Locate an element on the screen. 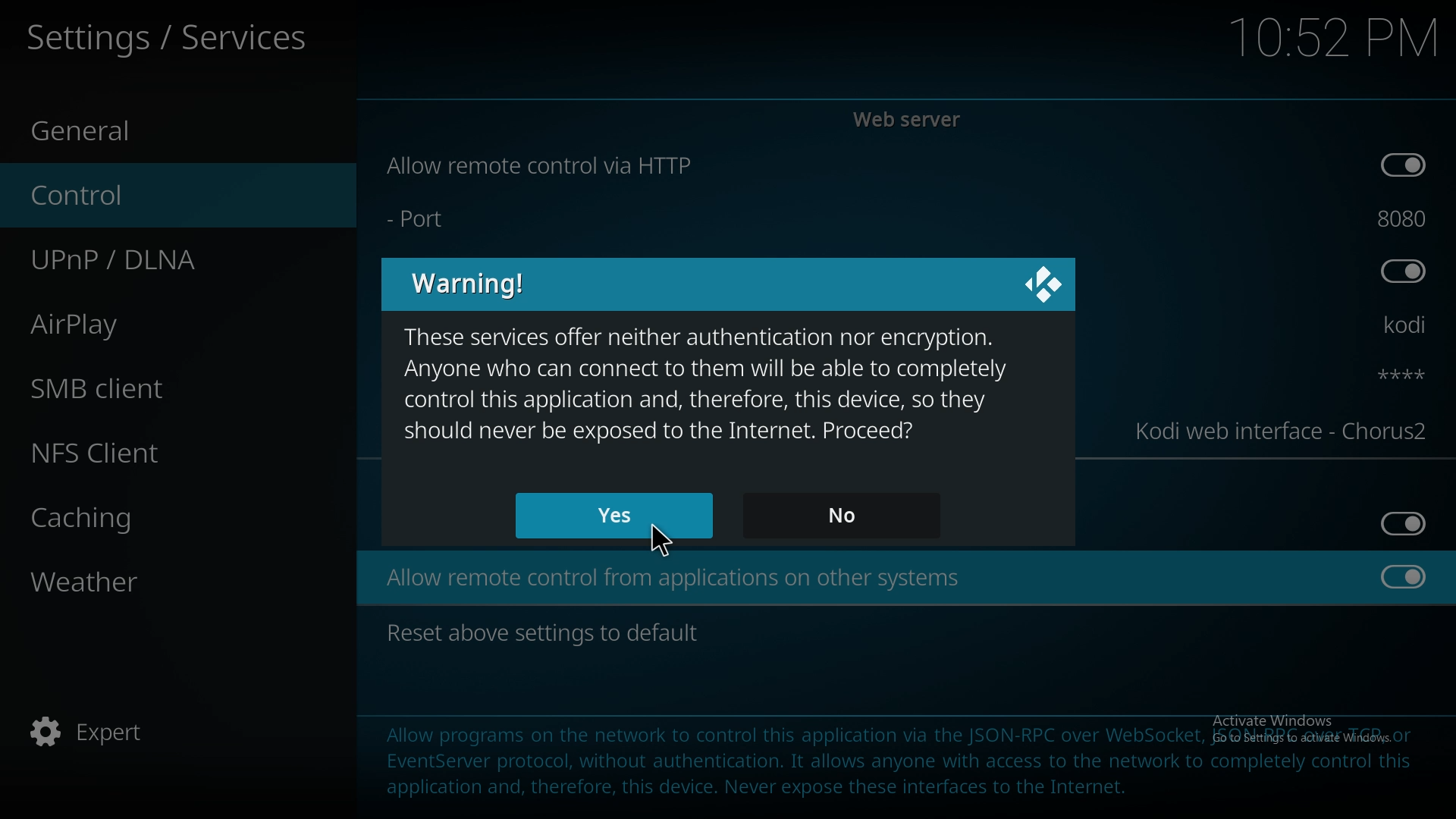 This screenshot has height=819, width=1456. toggle is located at coordinates (1407, 574).